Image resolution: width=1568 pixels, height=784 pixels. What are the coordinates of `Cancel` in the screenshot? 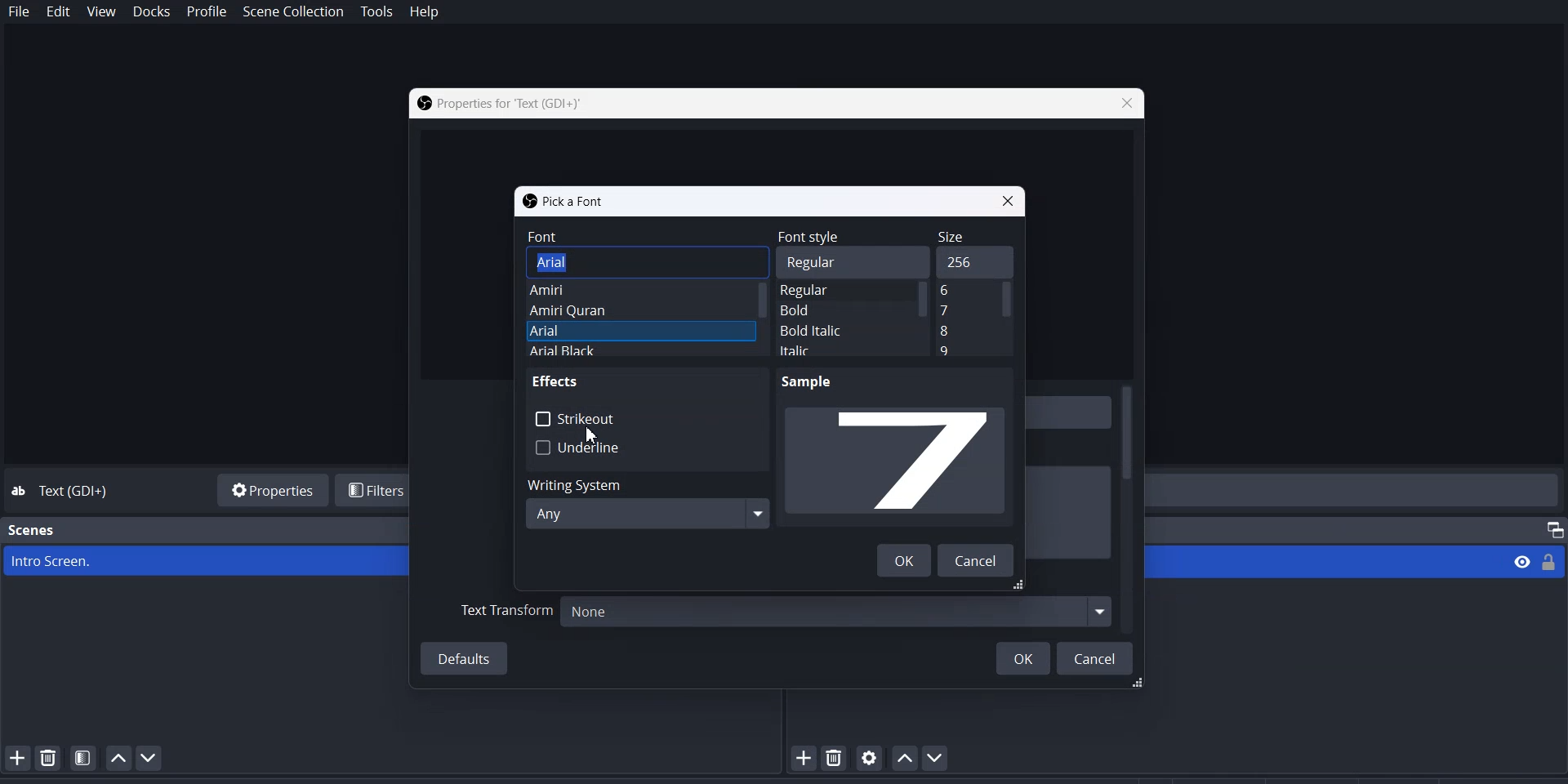 It's located at (980, 560).